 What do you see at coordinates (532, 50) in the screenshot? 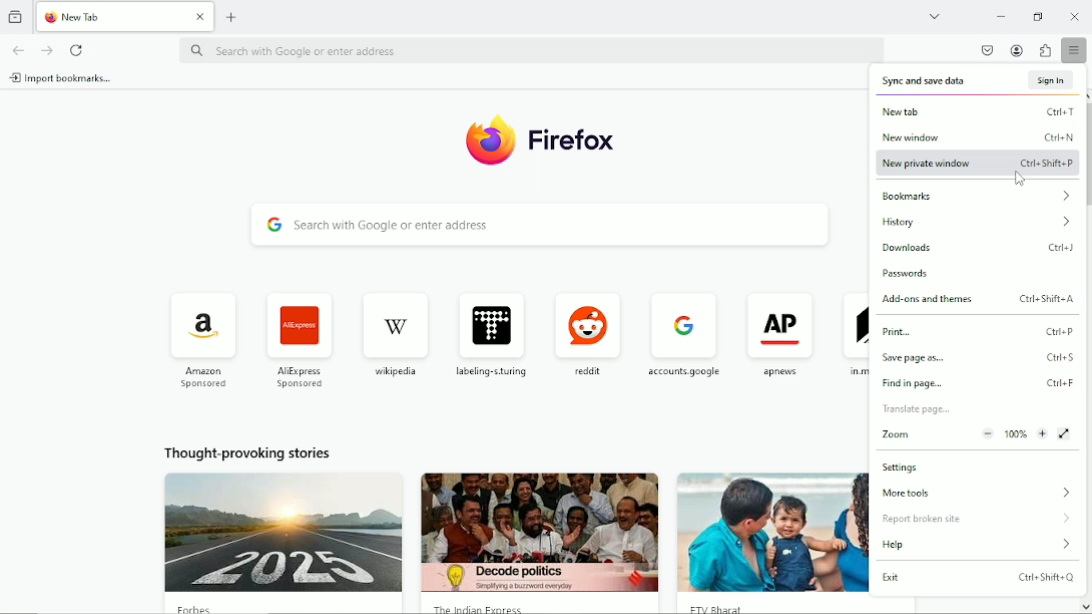
I see `search with google or enter address` at bounding box center [532, 50].